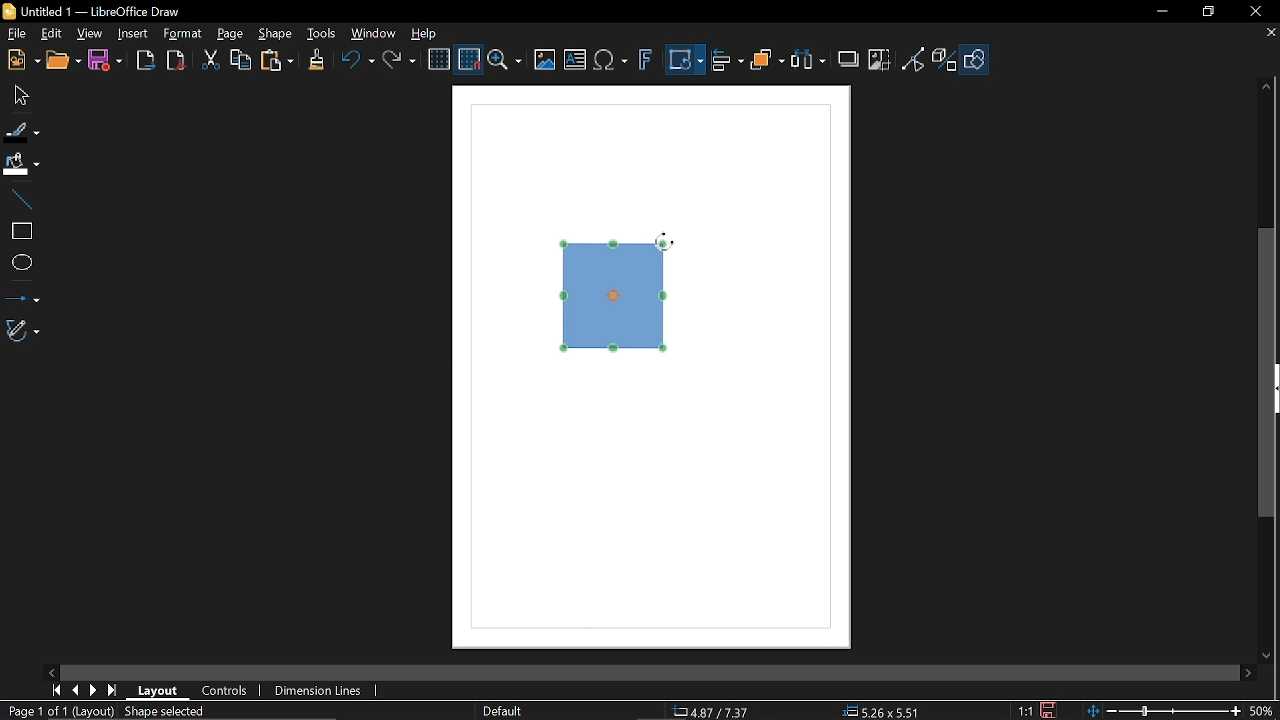 The width and height of the screenshot is (1280, 720). I want to click on Shadow, so click(846, 58).